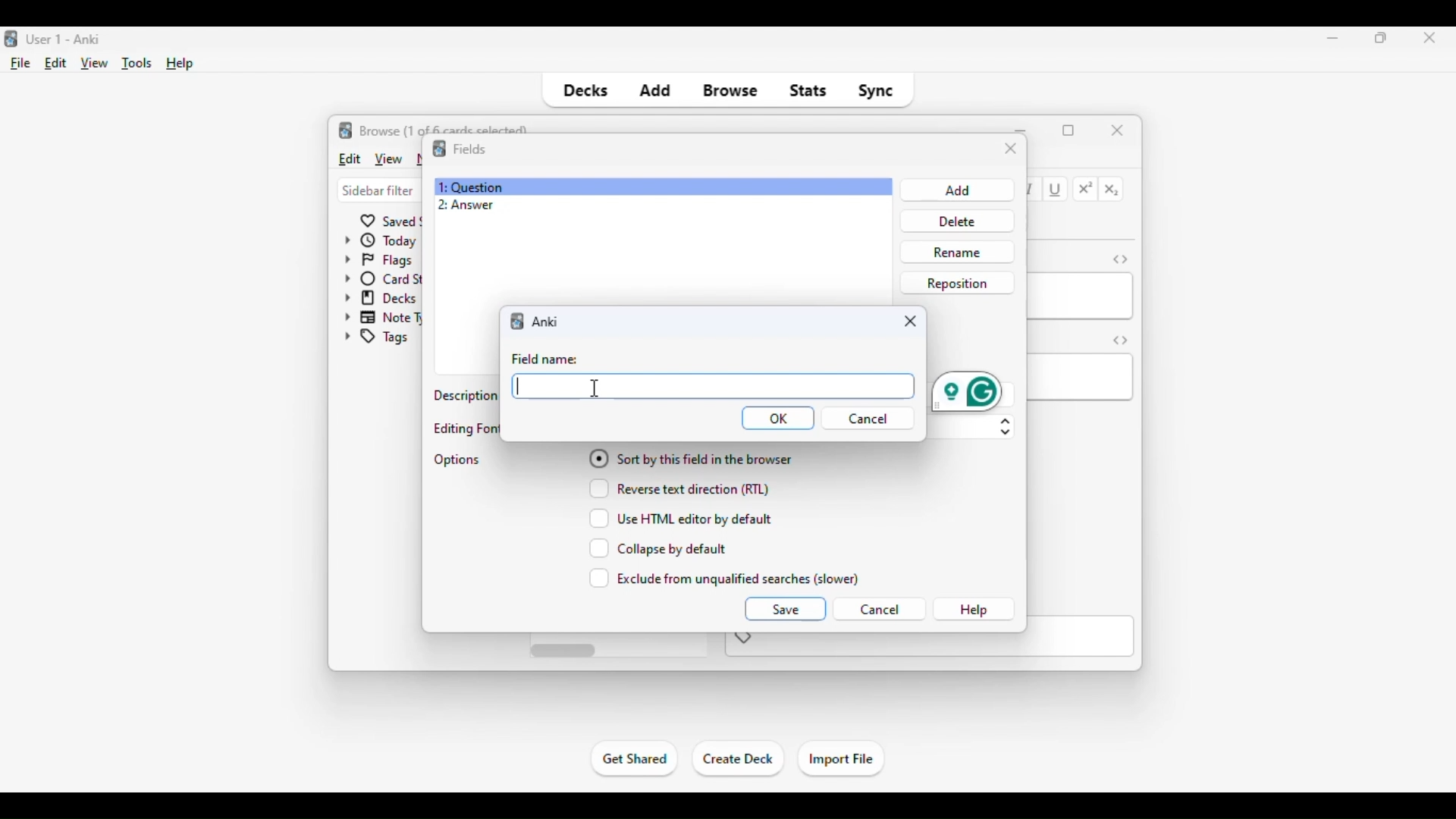 This screenshot has width=1456, height=819. What do you see at coordinates (739, 759) in the screenshot?
I see `create deck` at bounding box center [739, 759].